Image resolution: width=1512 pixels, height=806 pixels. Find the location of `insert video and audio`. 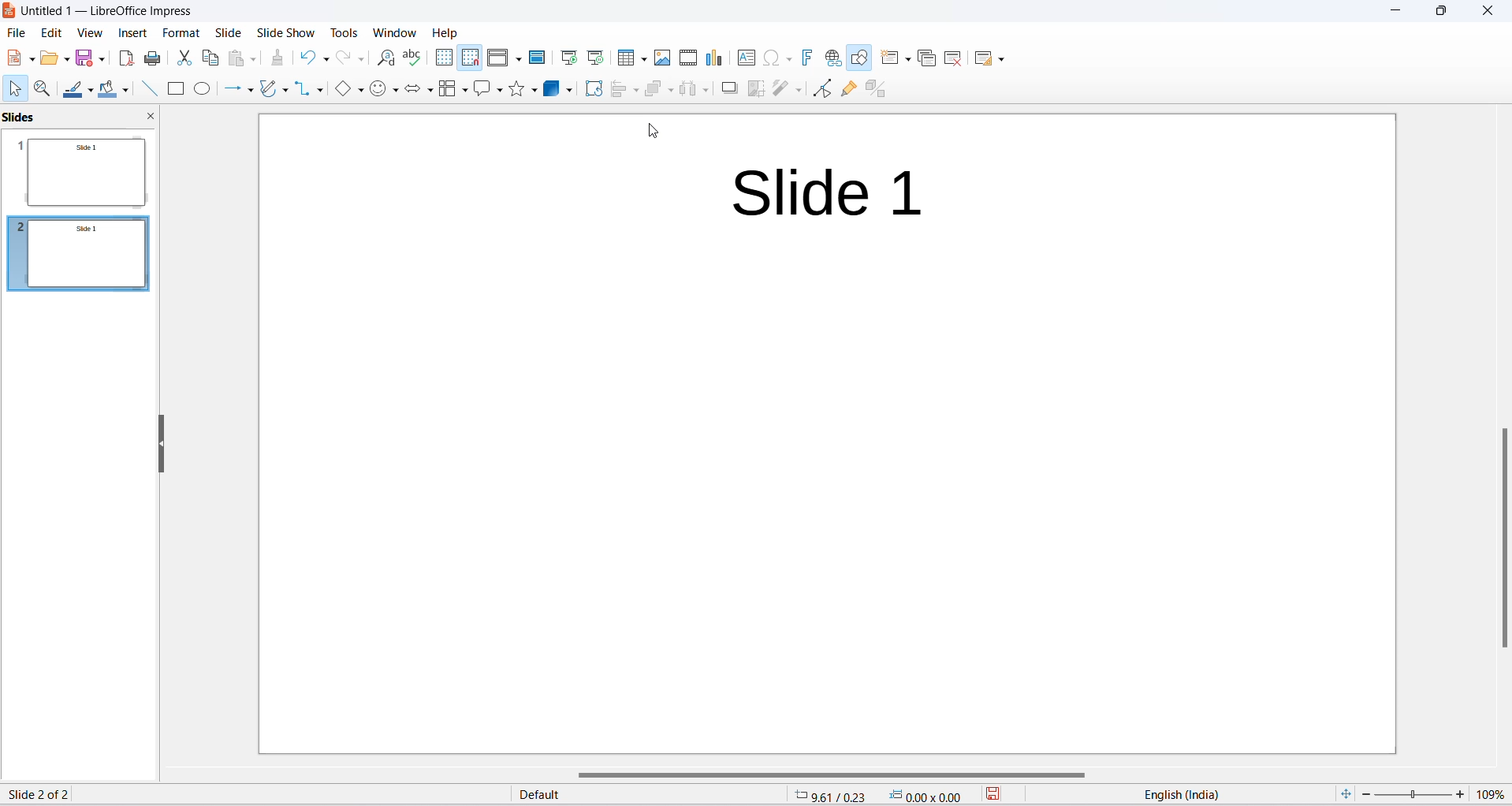

insert video and audio is located at coordinates (686, 57).